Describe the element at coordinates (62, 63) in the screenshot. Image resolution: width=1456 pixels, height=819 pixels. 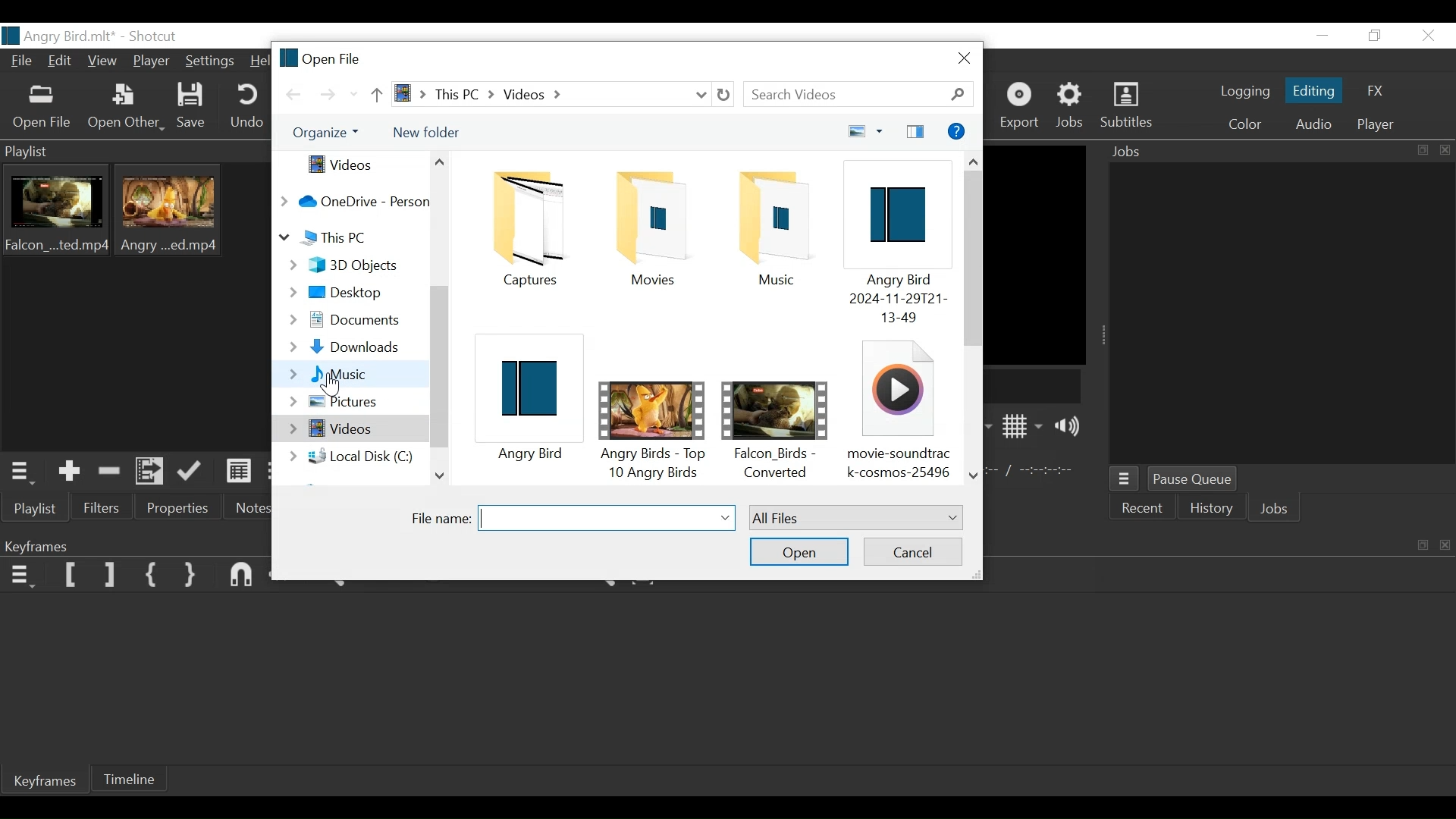
I see `Edit` at that location.